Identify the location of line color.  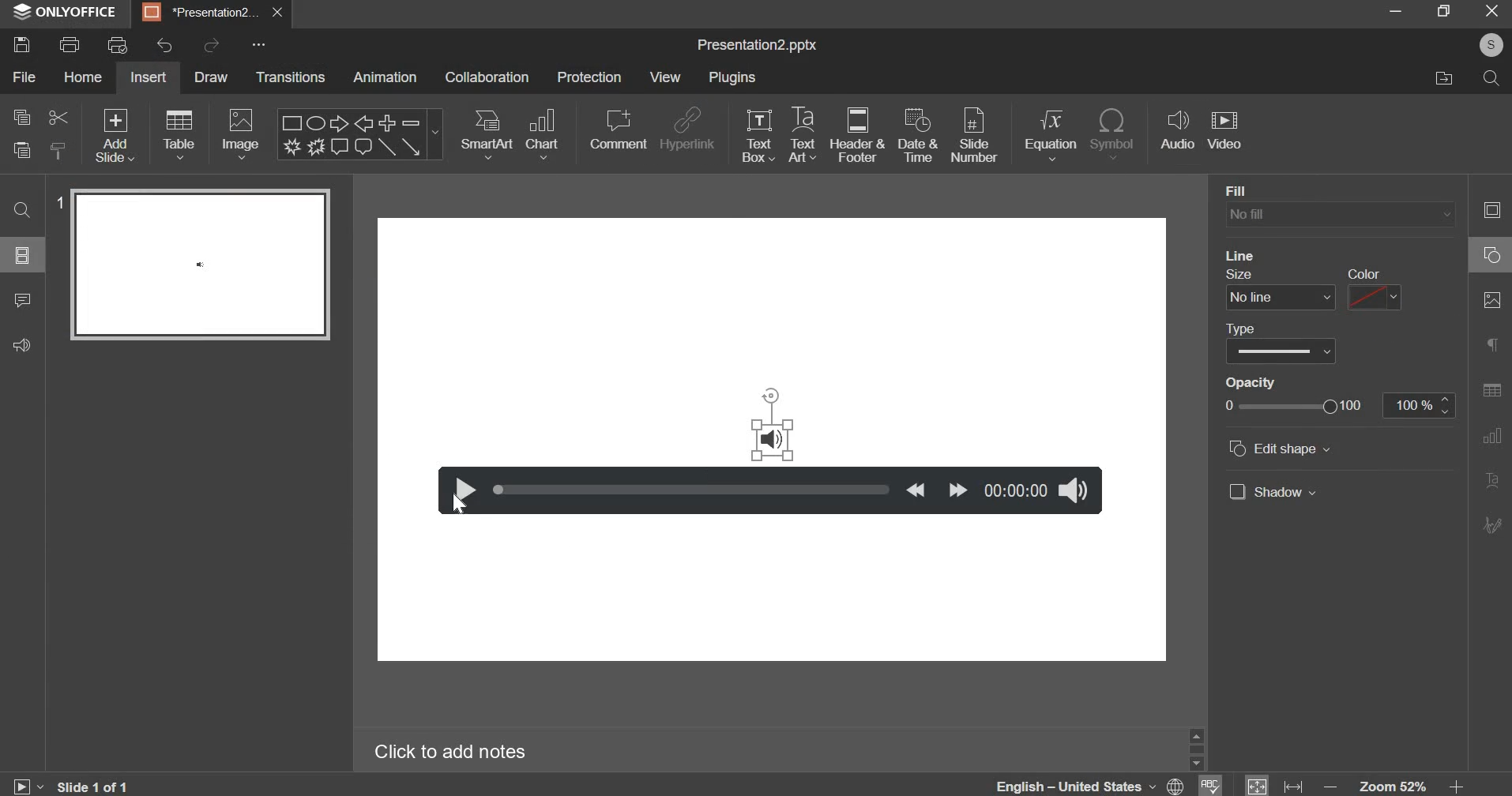
(1376, 297).